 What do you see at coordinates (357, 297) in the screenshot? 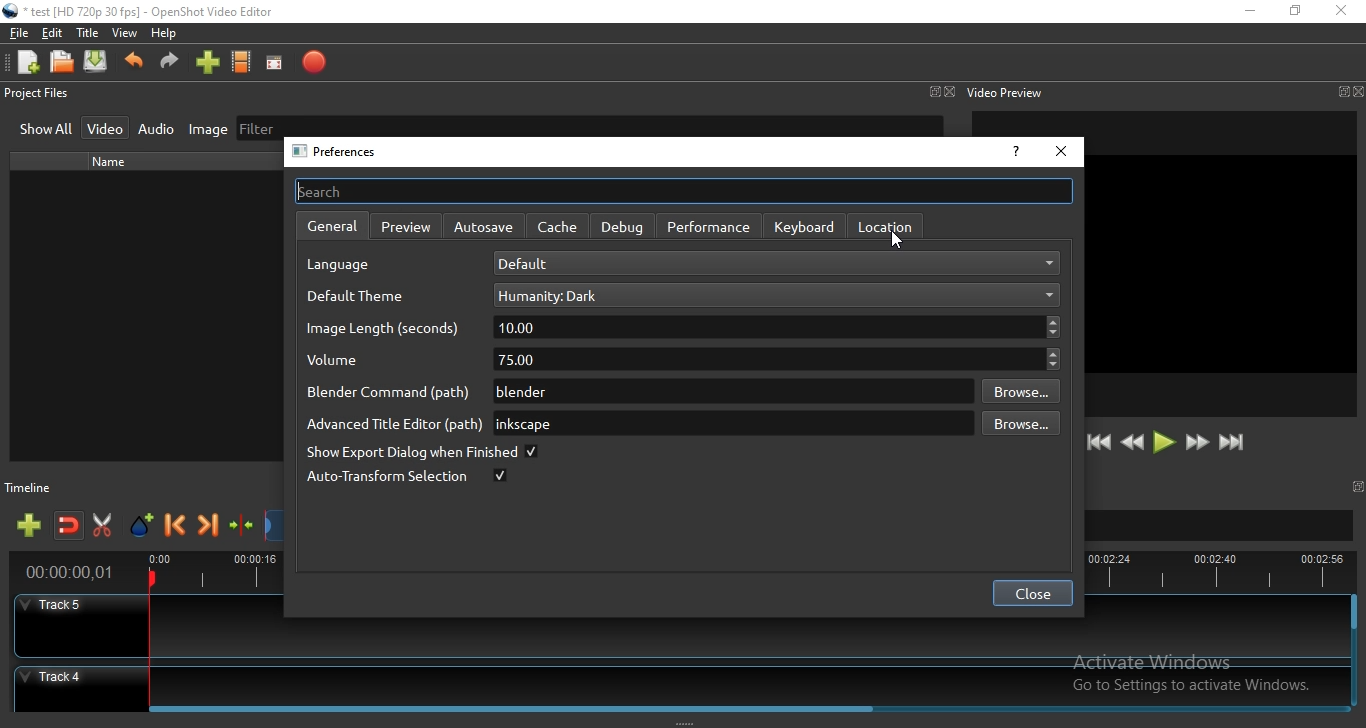
I see `default` at bounding box center [357, 297].